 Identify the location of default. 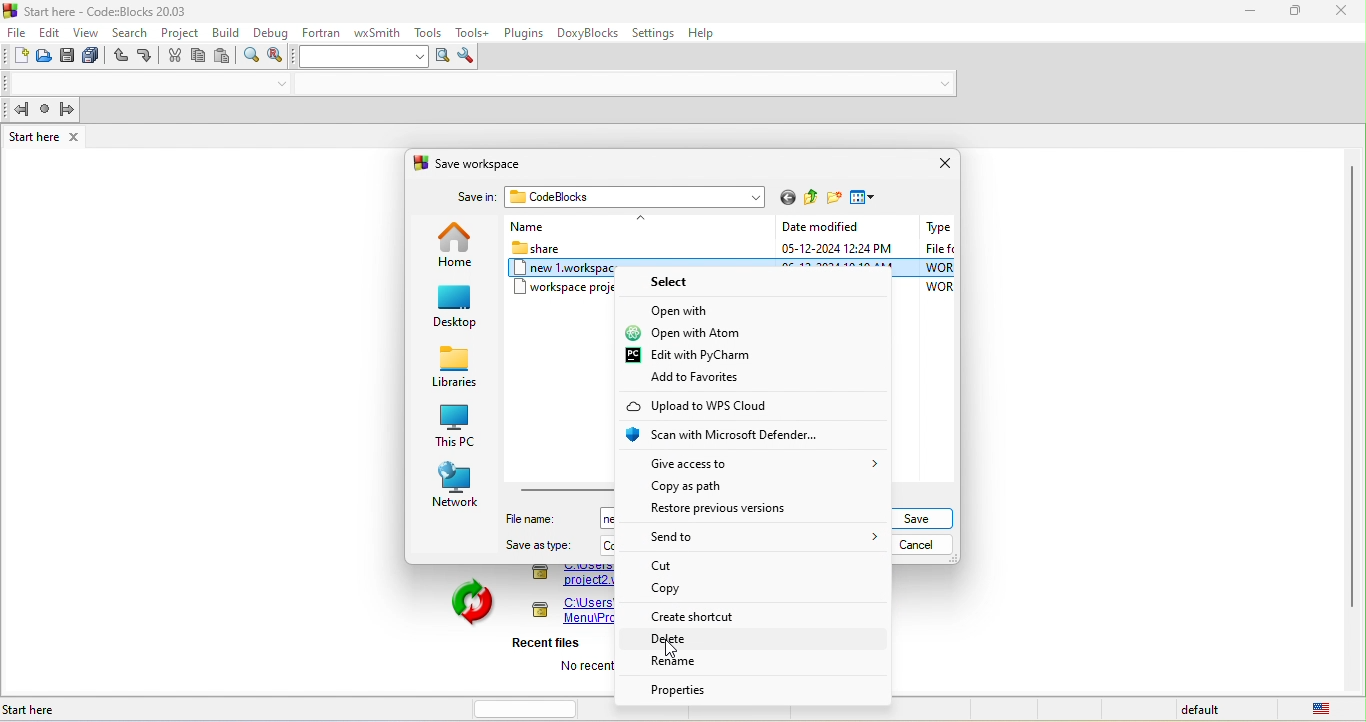
(1203, 710).